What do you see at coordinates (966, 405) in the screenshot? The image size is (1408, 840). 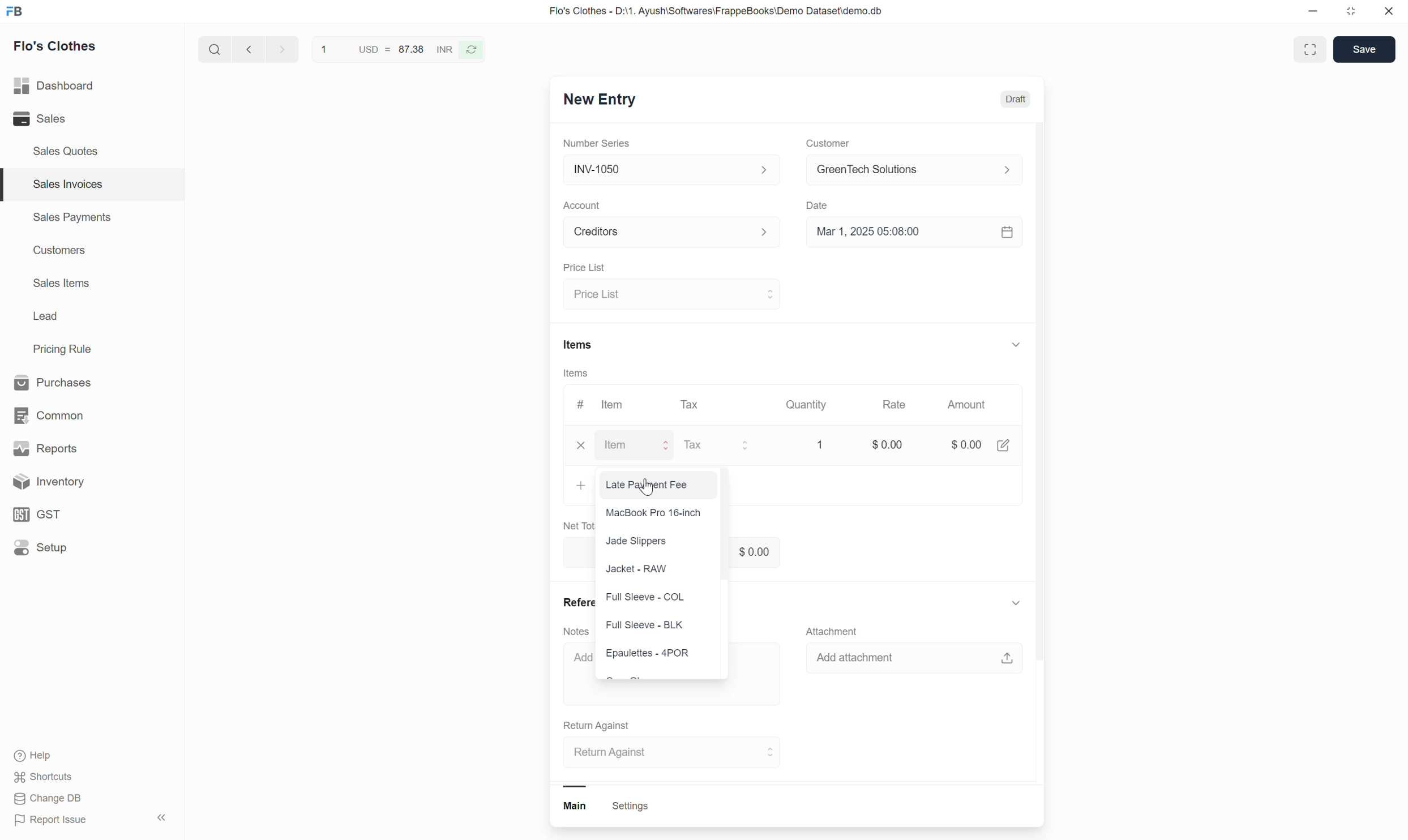 I see `Amount` at bounding box center [966, 405].